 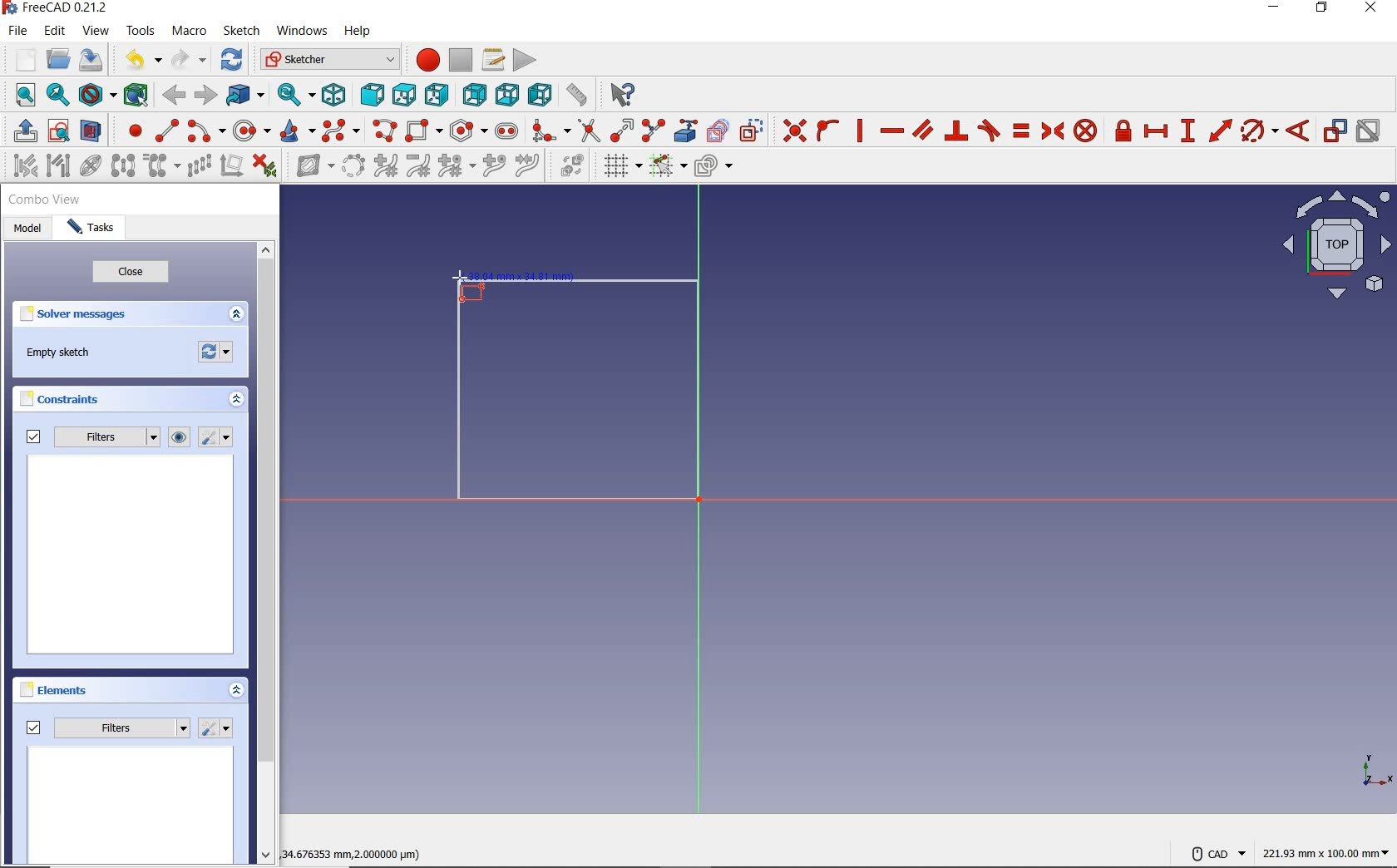 I want to click on dimensions, so click(x=361, y=852).